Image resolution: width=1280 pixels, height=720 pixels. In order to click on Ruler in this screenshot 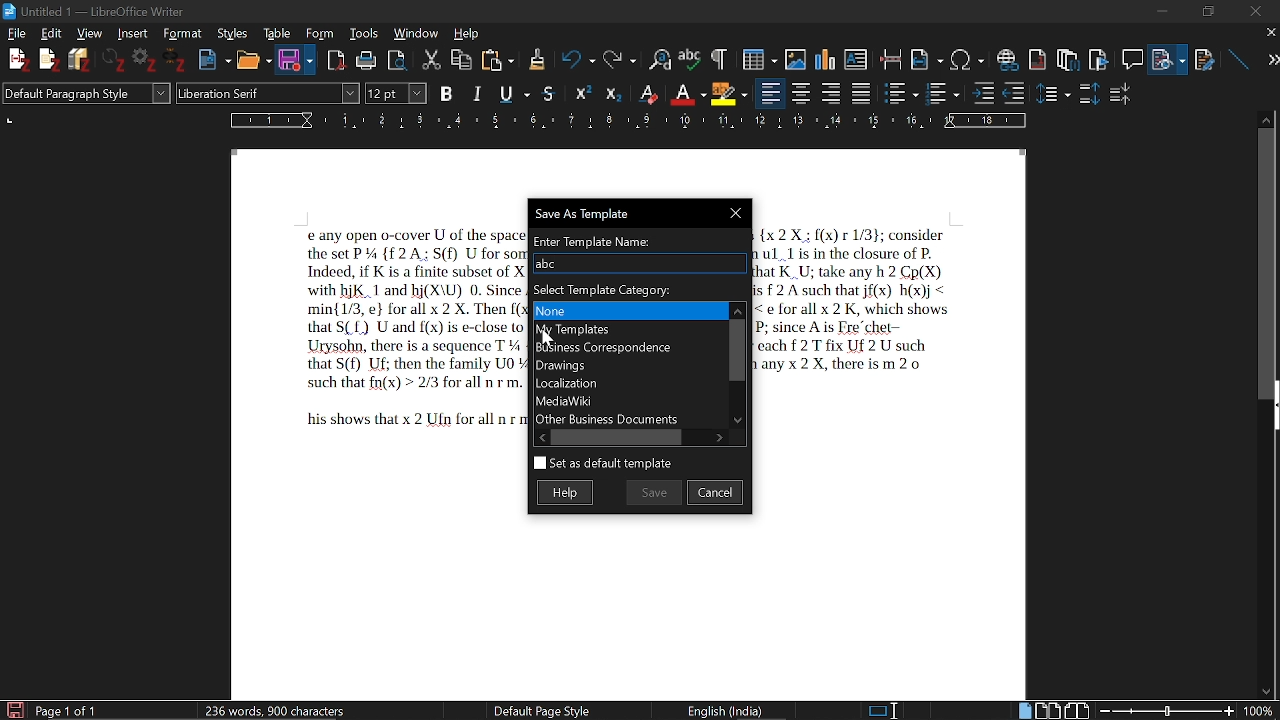, I will do `click(632, 120)`.